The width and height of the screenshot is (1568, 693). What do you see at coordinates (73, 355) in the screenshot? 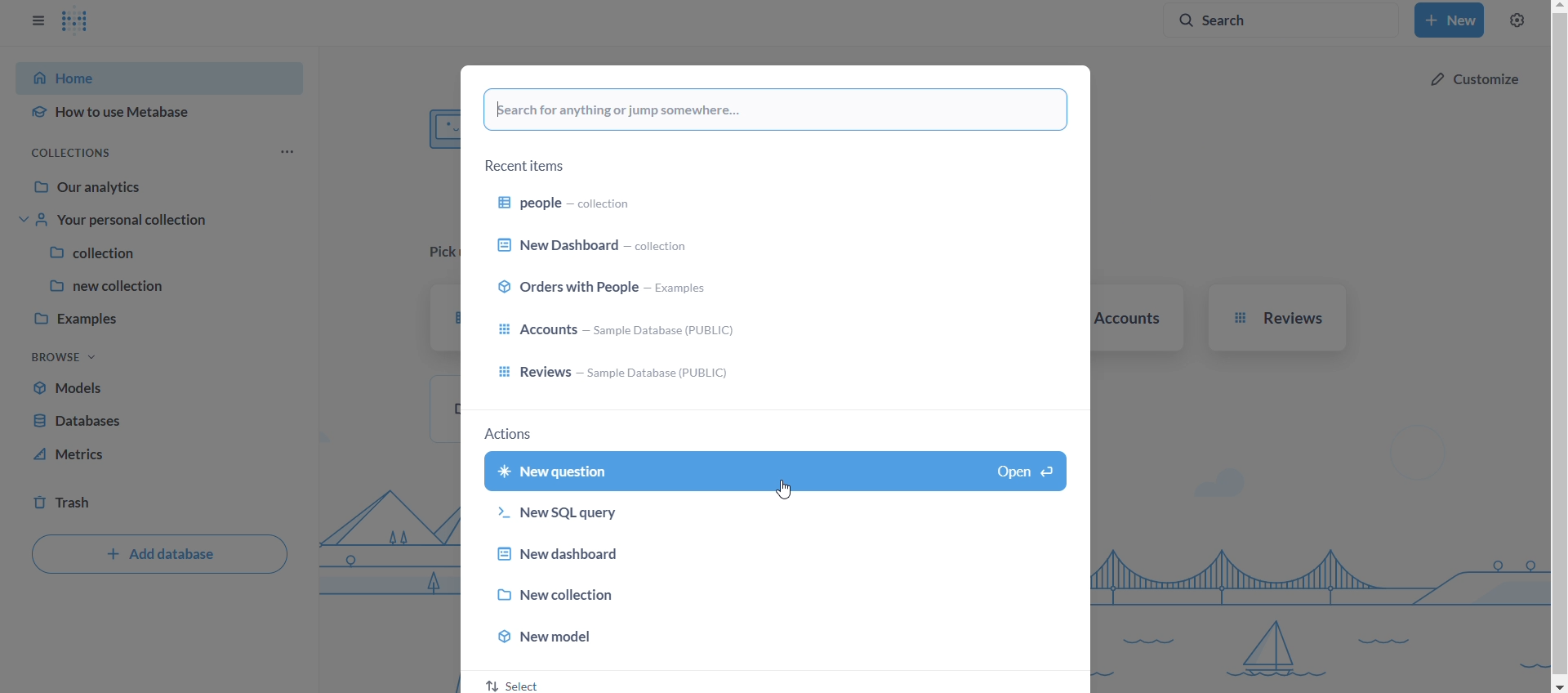
I see `browse` at bounding box center [73, 355].